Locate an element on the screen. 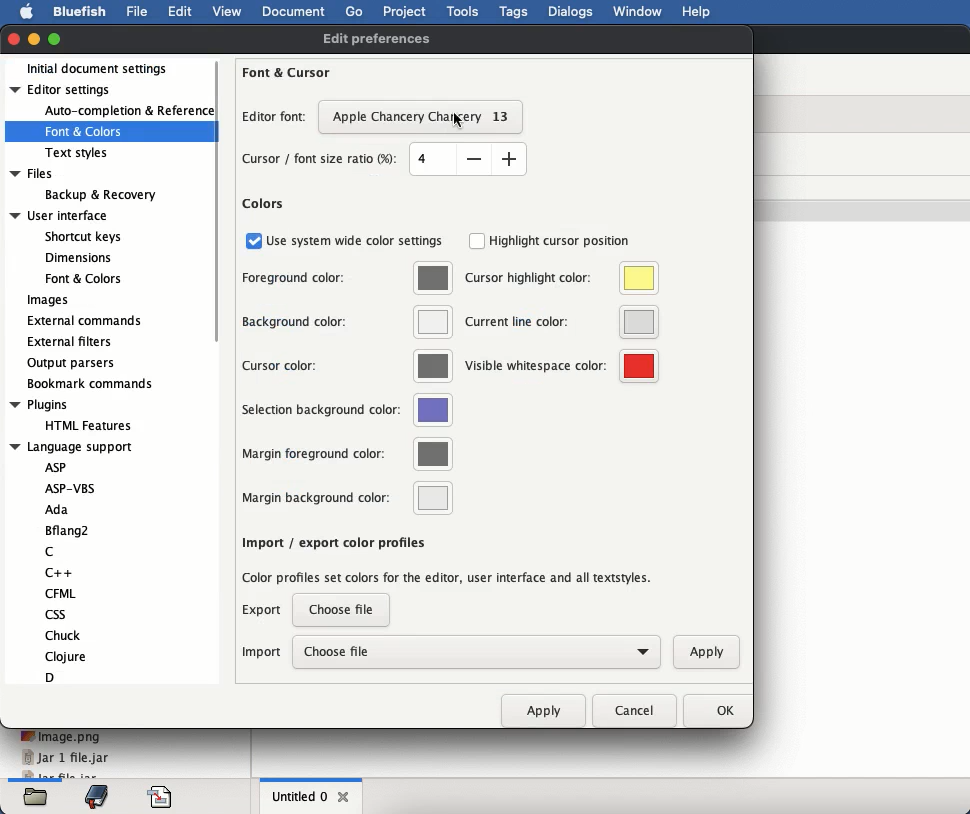  export is located at coordinates (264, 614).